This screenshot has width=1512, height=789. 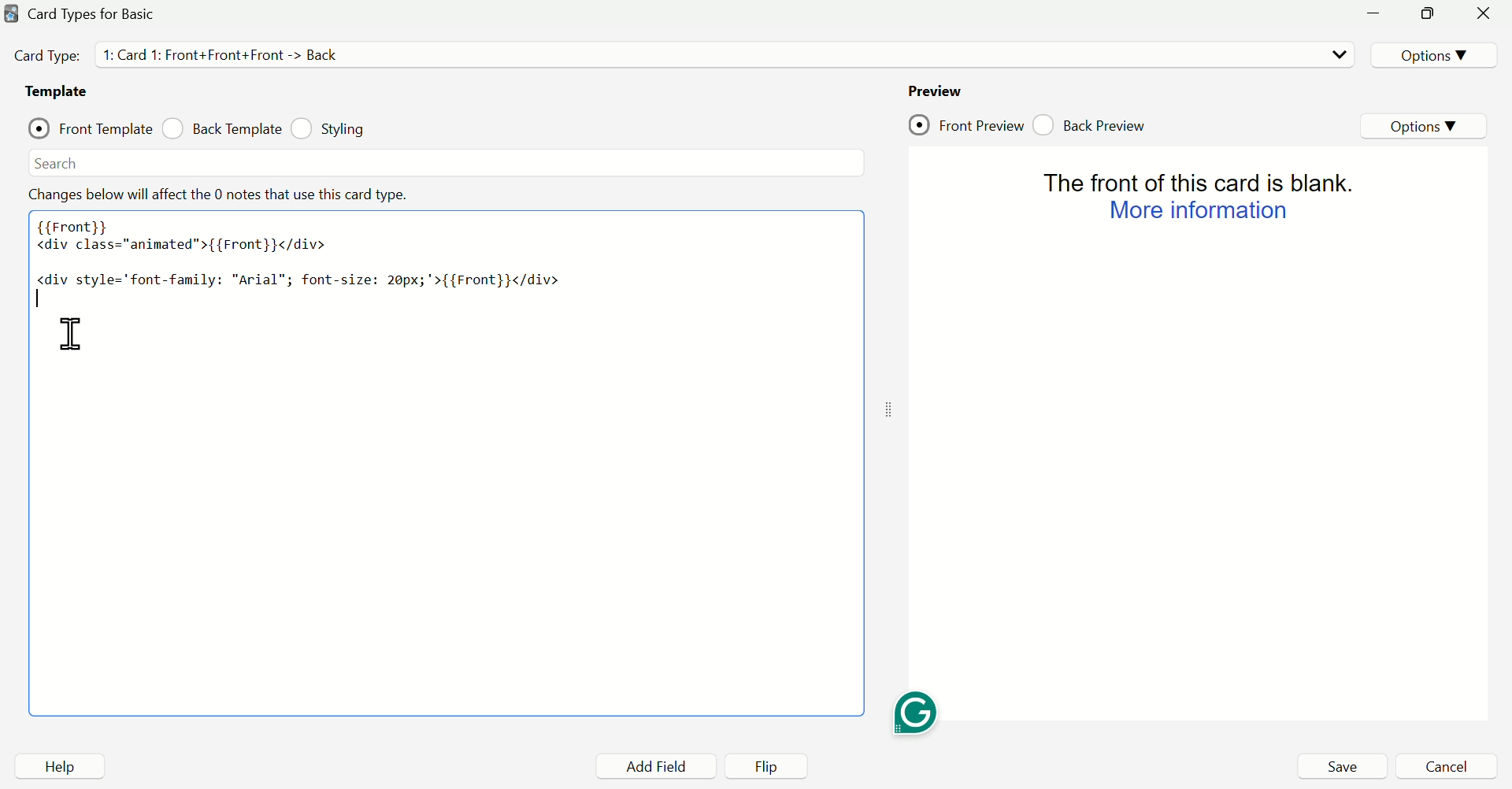 What do you see at coordinates (886, 411) in the screenshot?
I see `Drag Handle` at bounding box center [886, 411].